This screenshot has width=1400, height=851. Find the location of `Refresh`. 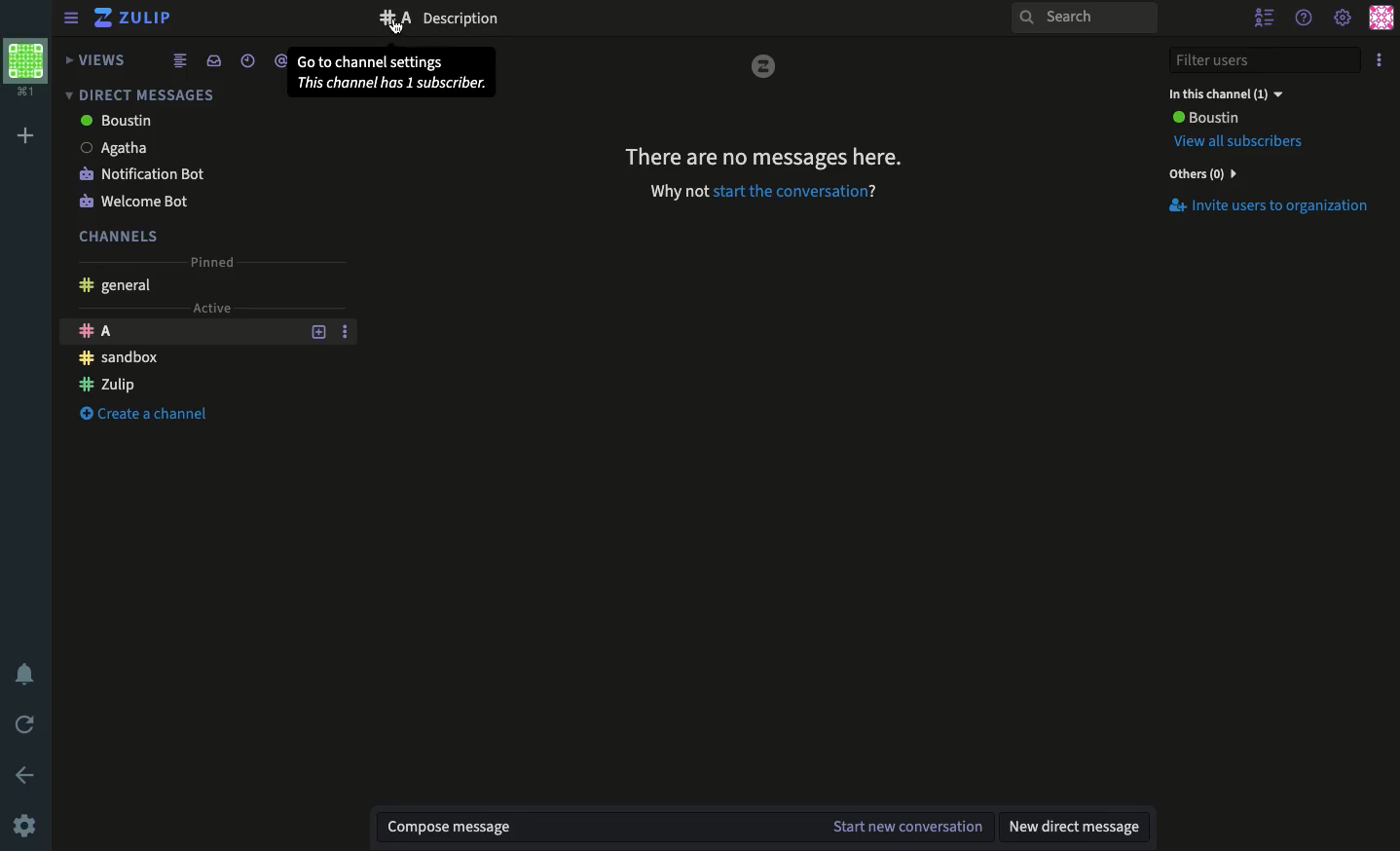

Refresh is located at coordinates (25, 726).